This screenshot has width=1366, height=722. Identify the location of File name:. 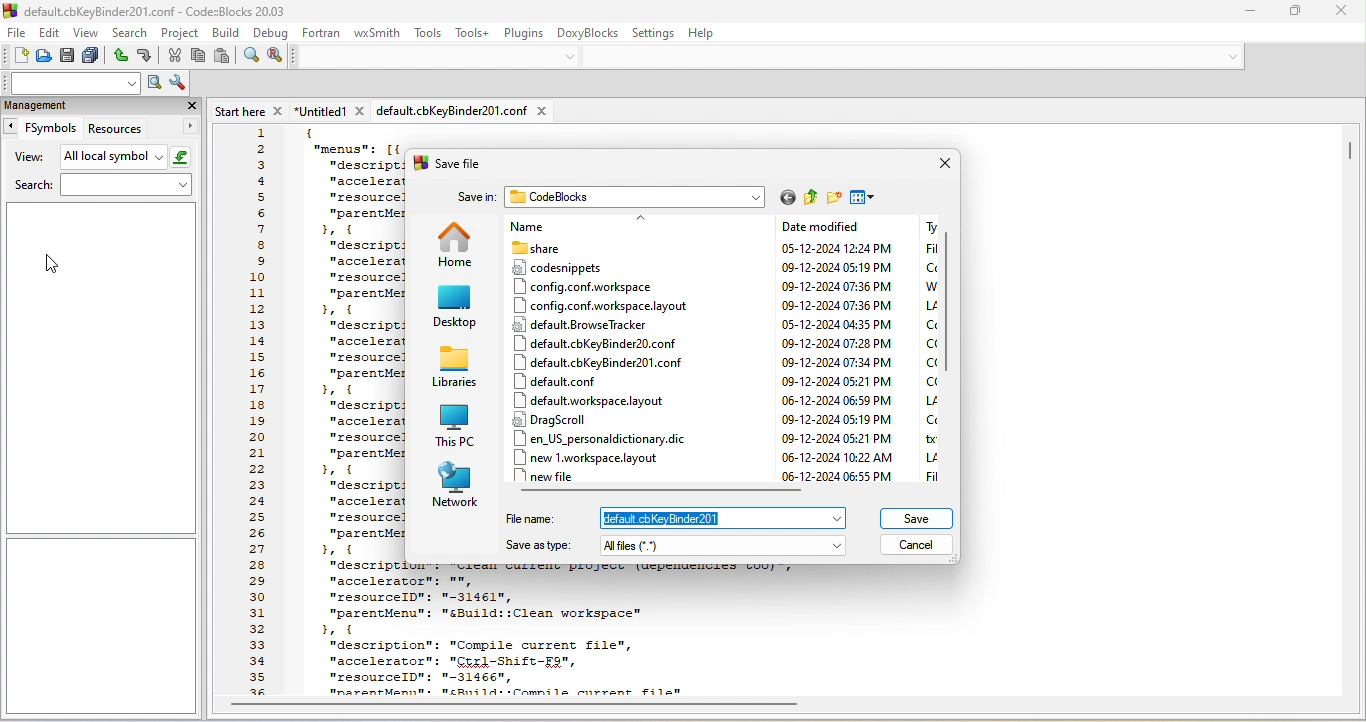
(530, 518).